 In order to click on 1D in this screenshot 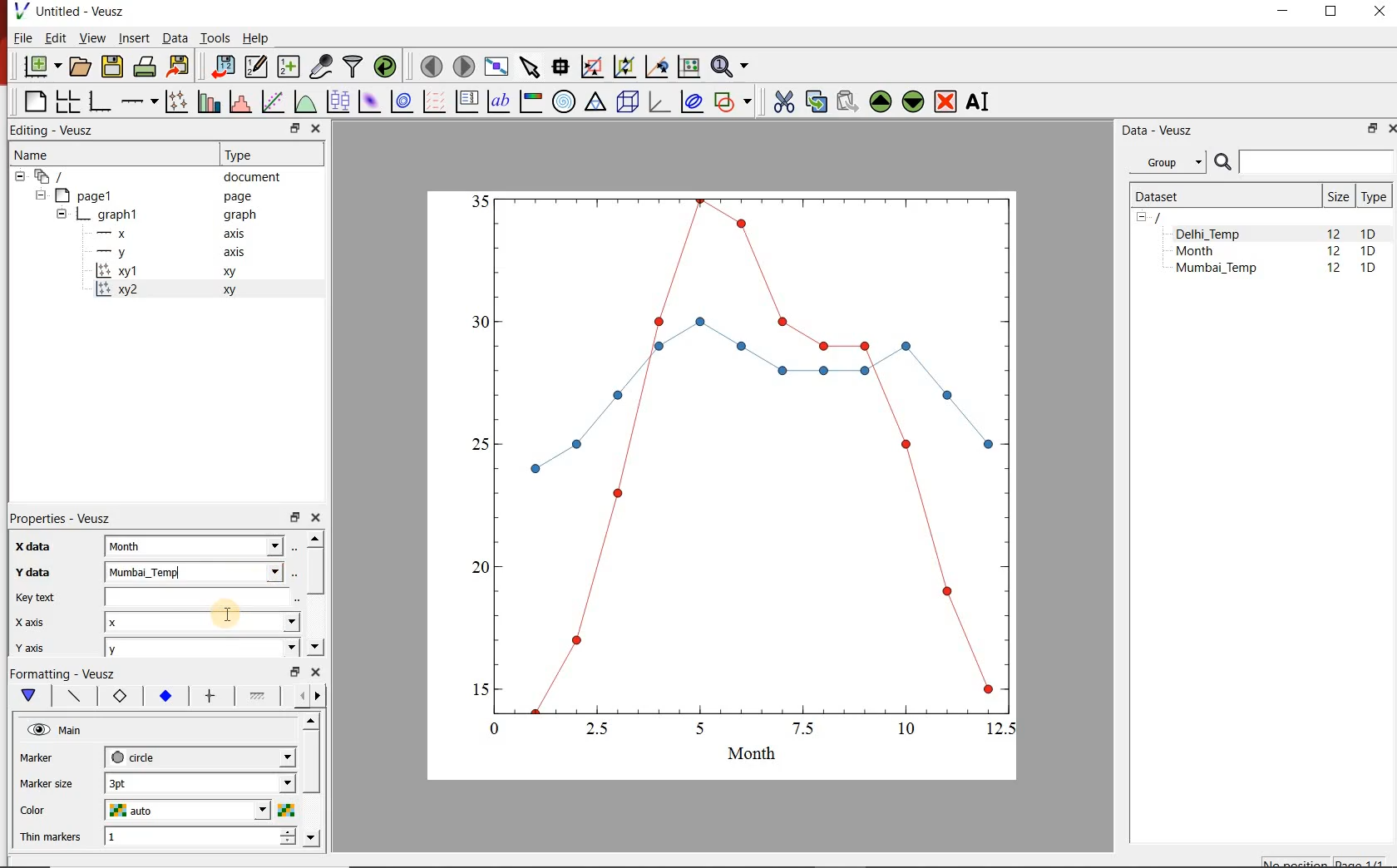, I will do `click(1368, 252)`.